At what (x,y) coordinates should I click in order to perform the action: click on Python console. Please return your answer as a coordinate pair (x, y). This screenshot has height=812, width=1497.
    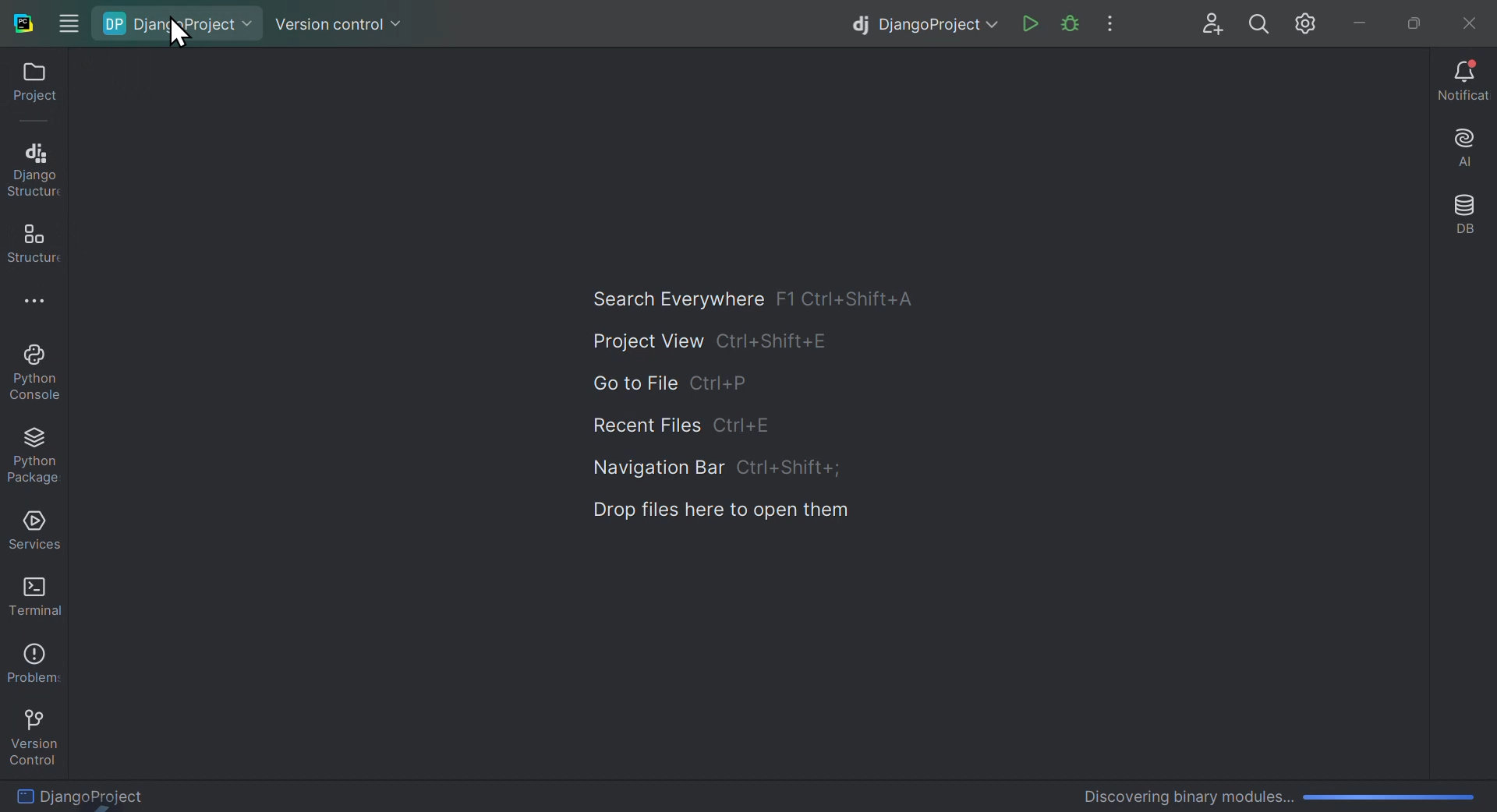
    Looking at the image, I should click on (39, 374).